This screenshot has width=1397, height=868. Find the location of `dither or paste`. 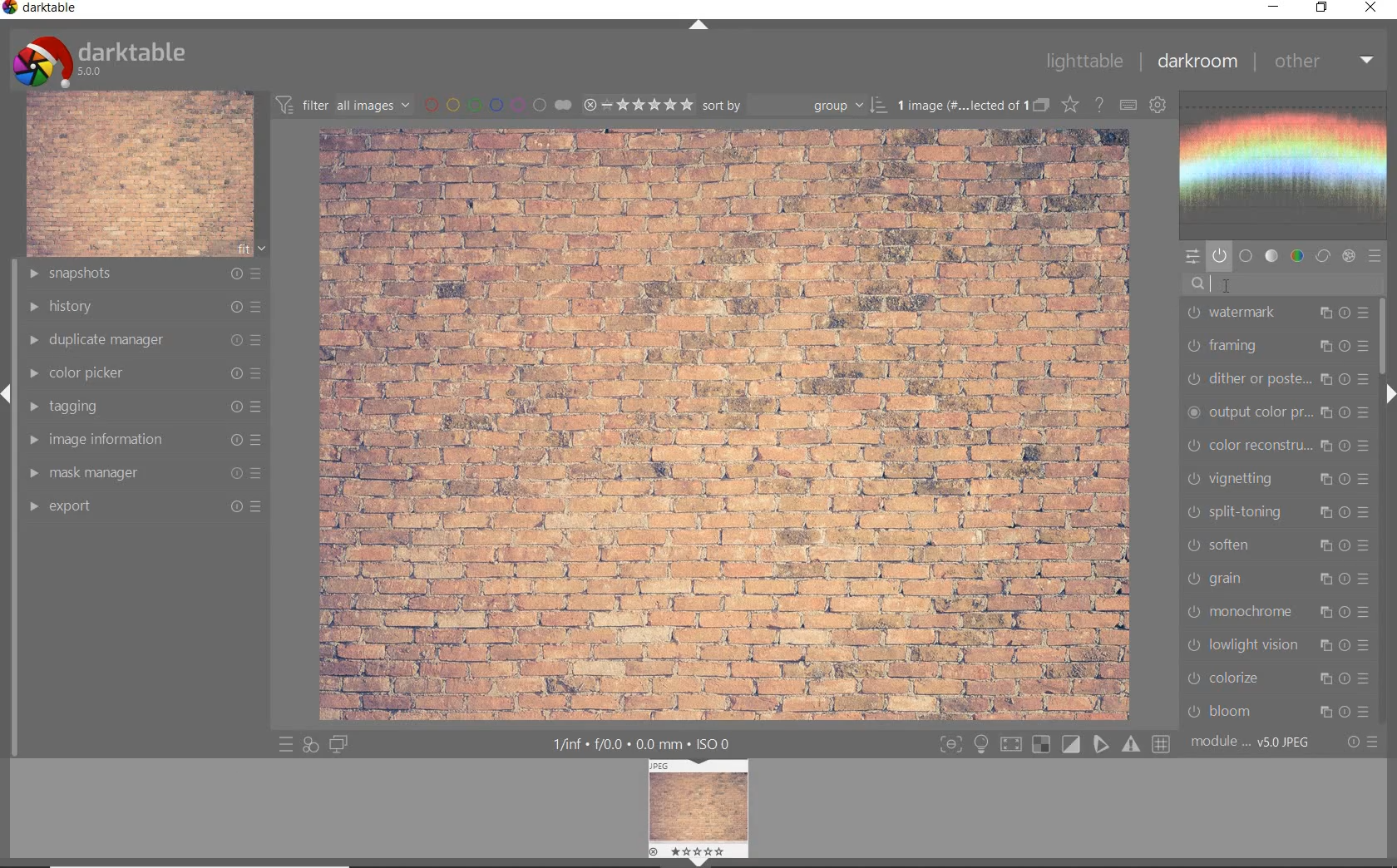

dither or paste is located at coordinates (1278, 378).